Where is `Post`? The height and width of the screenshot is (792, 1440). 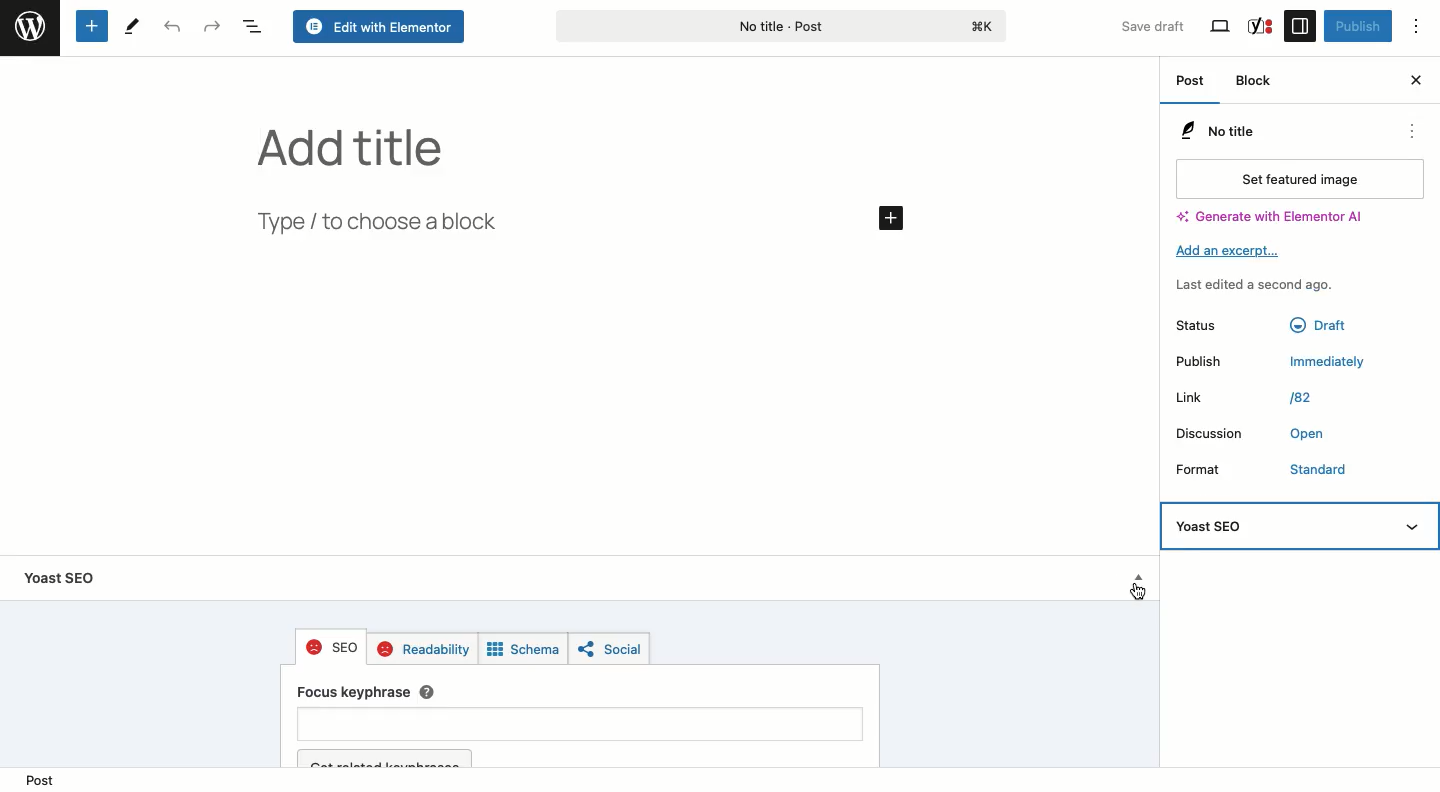
Post is located at coordinates (38, 776).